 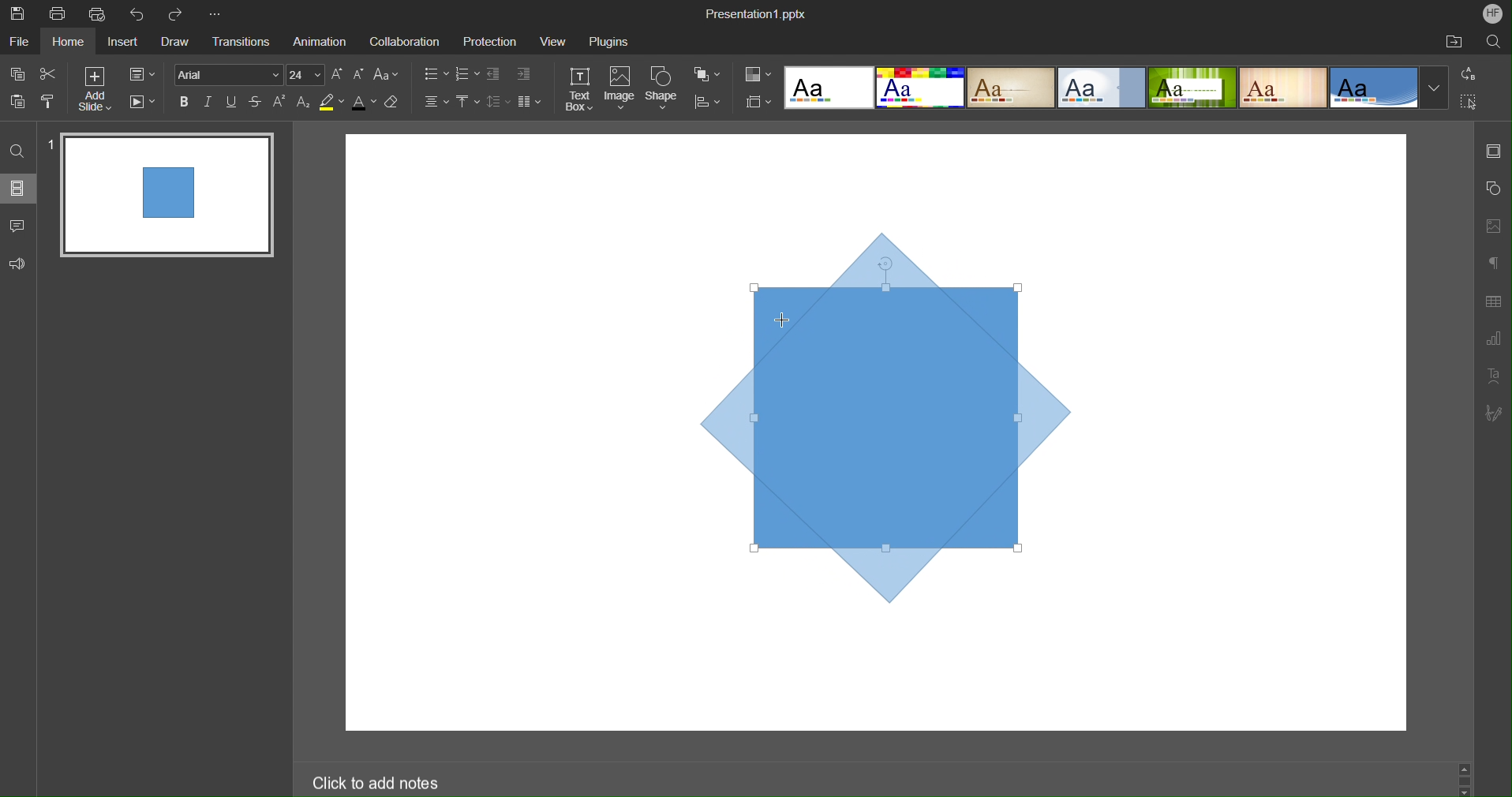 What do you see at coordinates (164, 196) in the screenshot?
I see `Slide 1` at bounding box center [164, 196].